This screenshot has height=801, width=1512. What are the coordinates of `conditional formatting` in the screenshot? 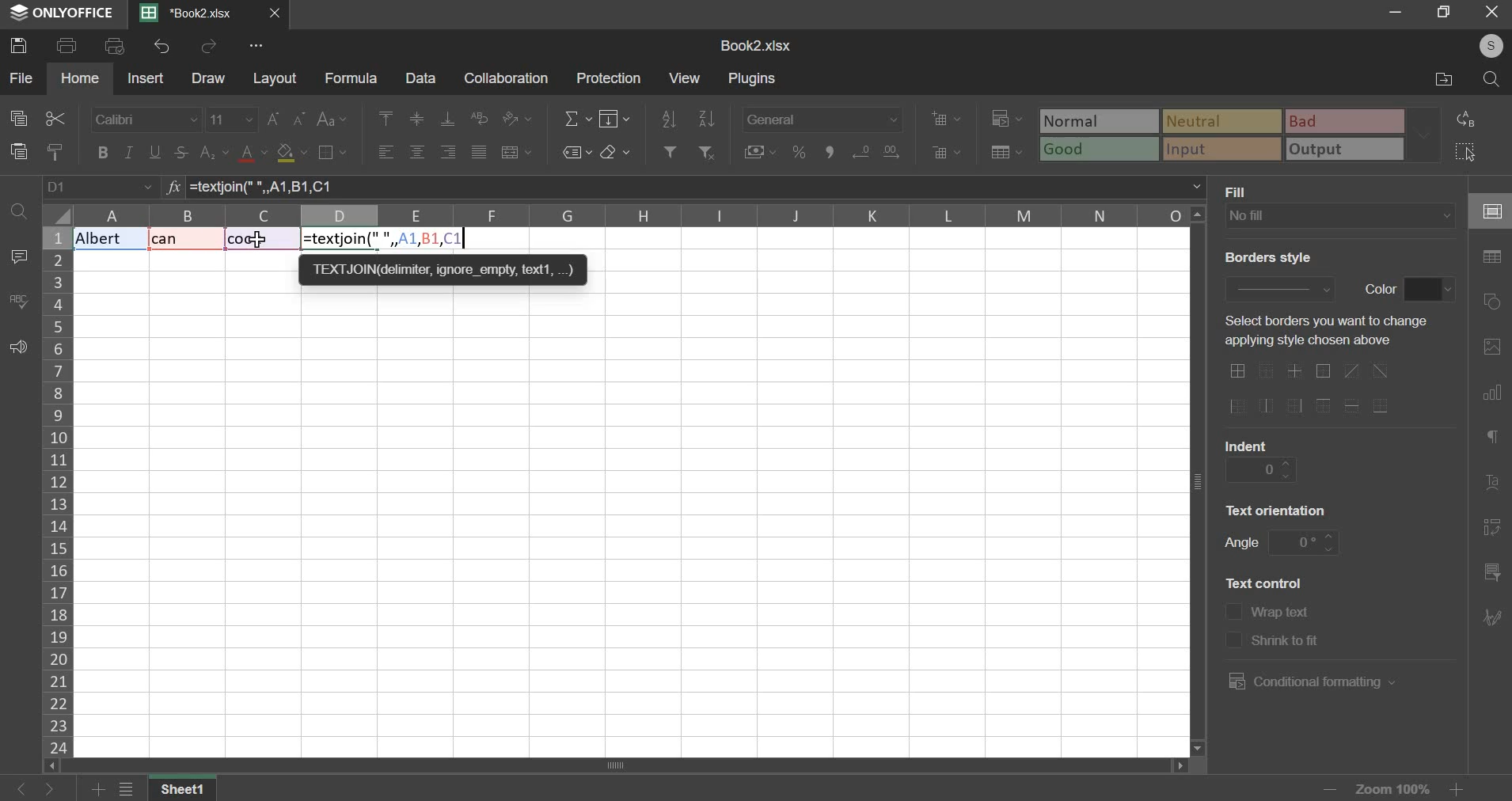 It's located at (1309, 681).